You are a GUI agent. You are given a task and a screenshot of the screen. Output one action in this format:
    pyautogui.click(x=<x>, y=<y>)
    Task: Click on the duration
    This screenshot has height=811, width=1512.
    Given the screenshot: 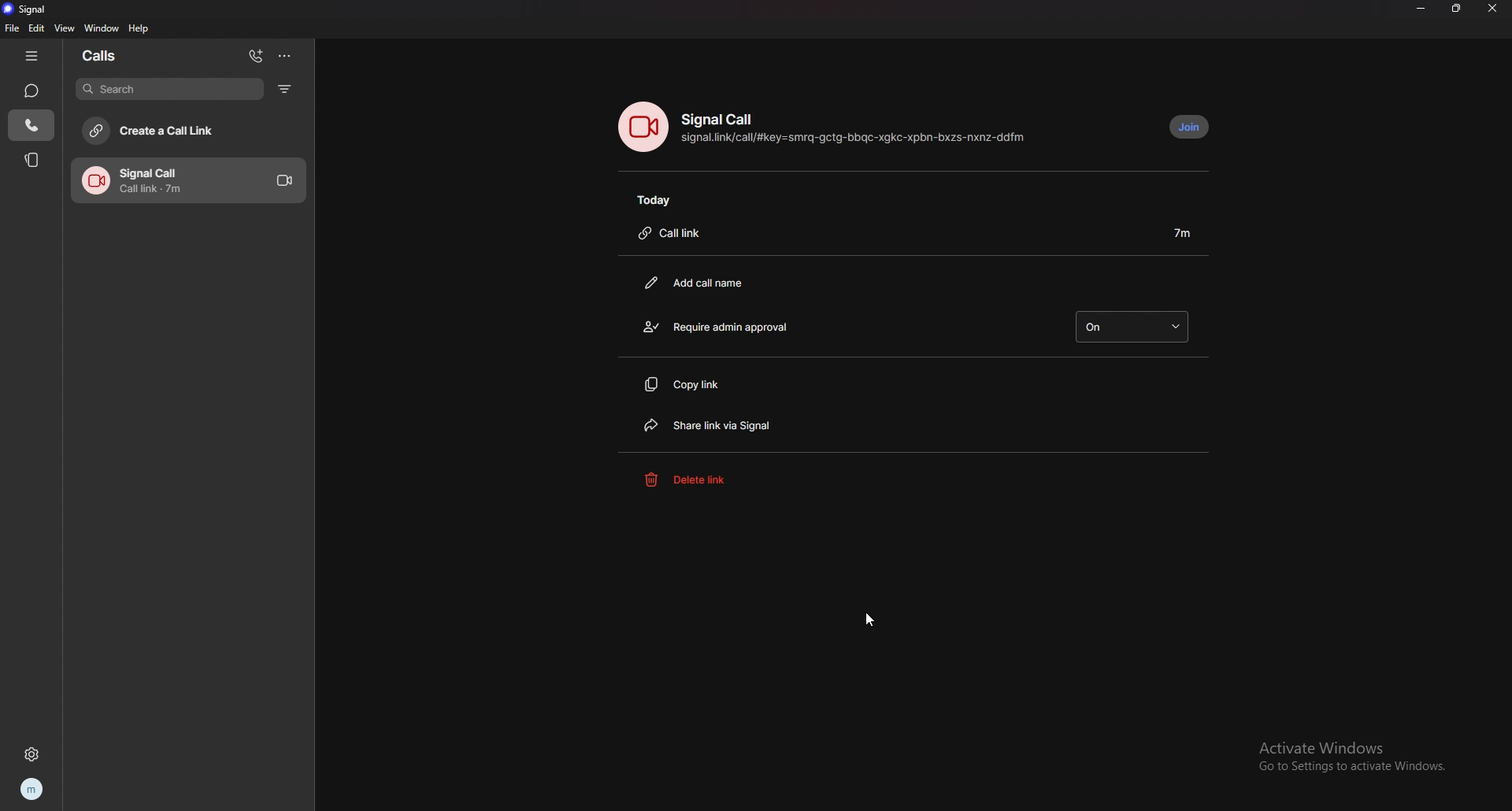 What is the action you would take?
    pyautogui.click(x=1182, y=232)
    